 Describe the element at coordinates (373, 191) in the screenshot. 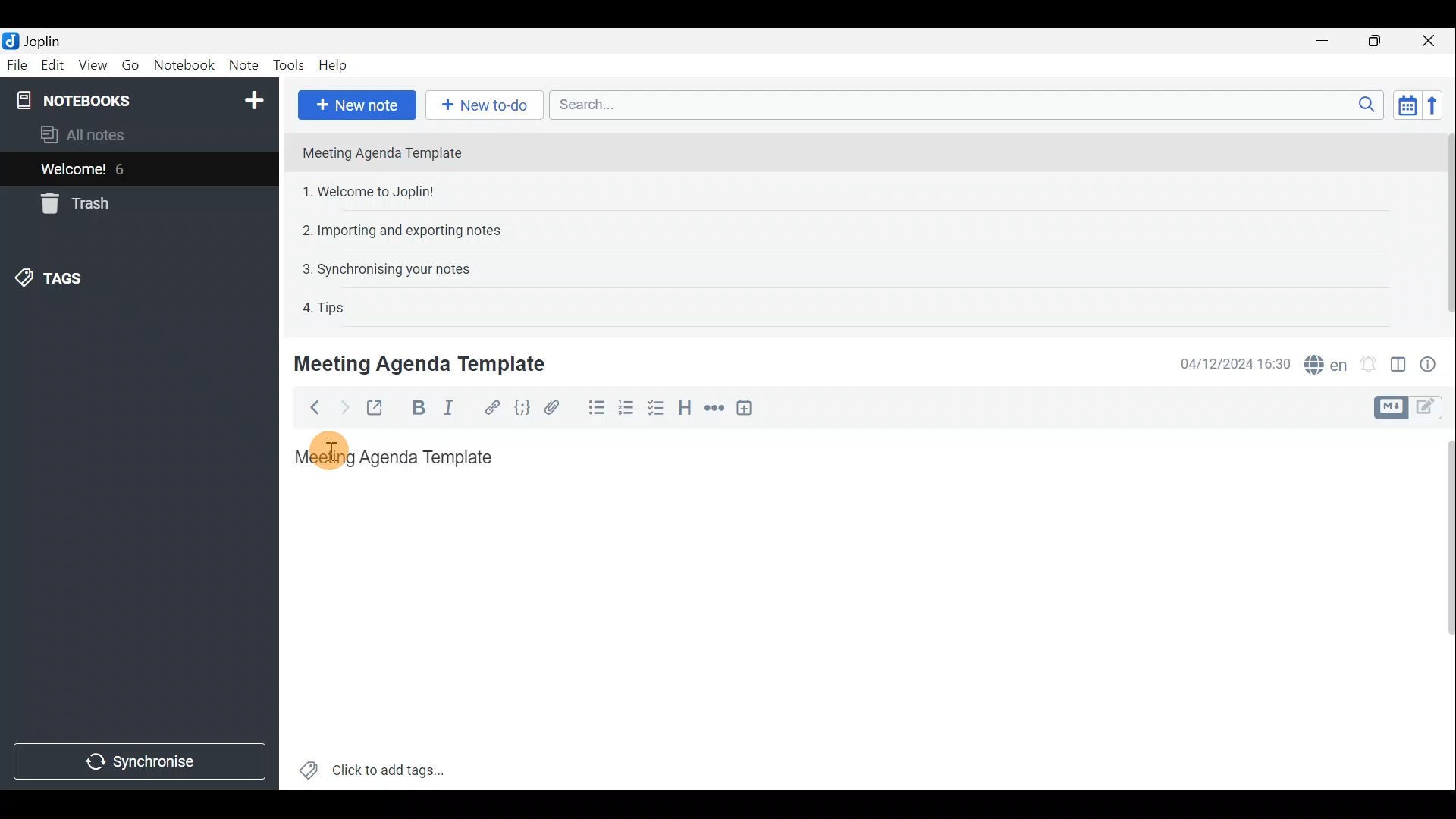

I see `1. Welcome to Joplin!` at that location.